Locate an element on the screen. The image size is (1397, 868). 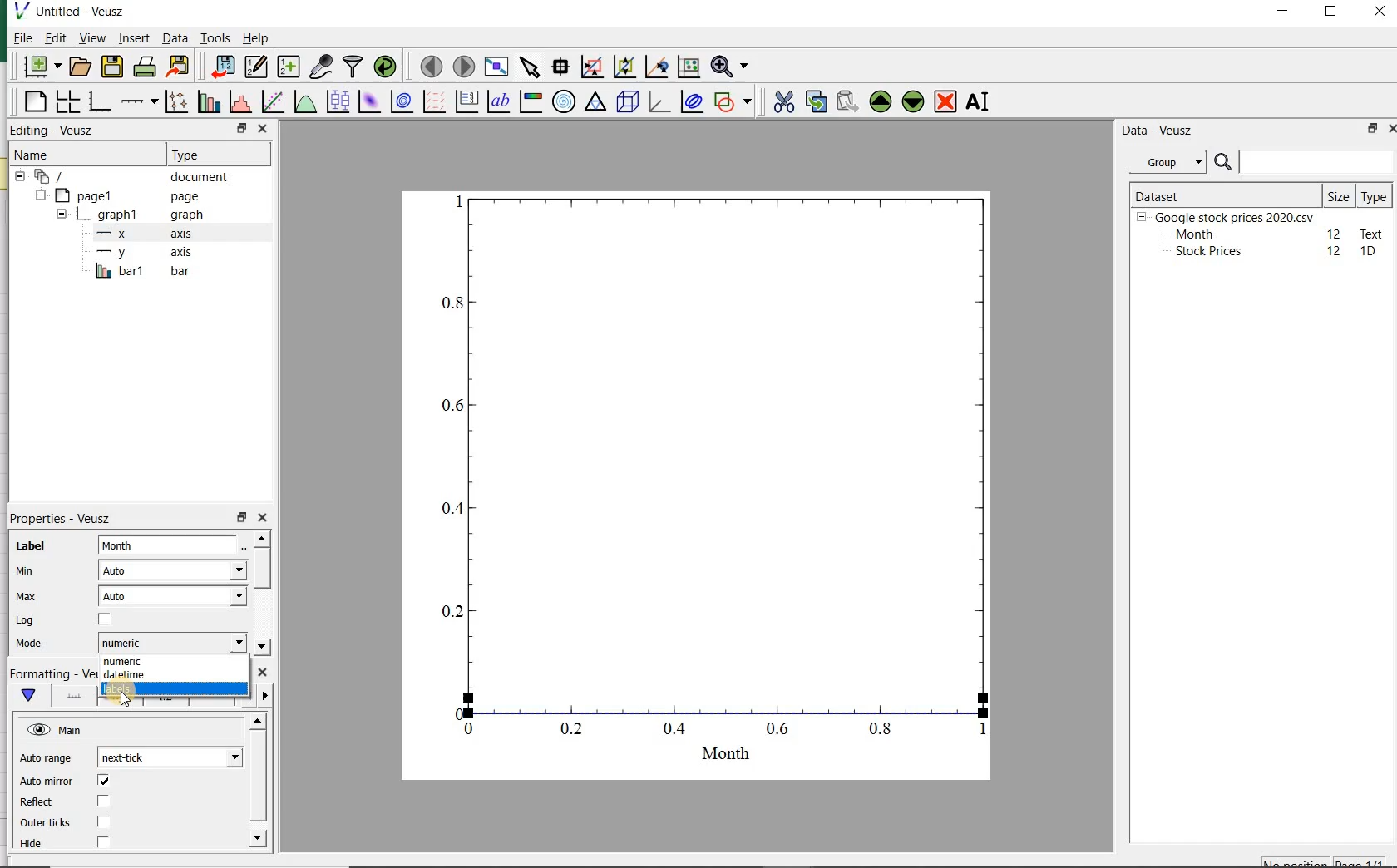
insert is located at coordinates (134, 39).